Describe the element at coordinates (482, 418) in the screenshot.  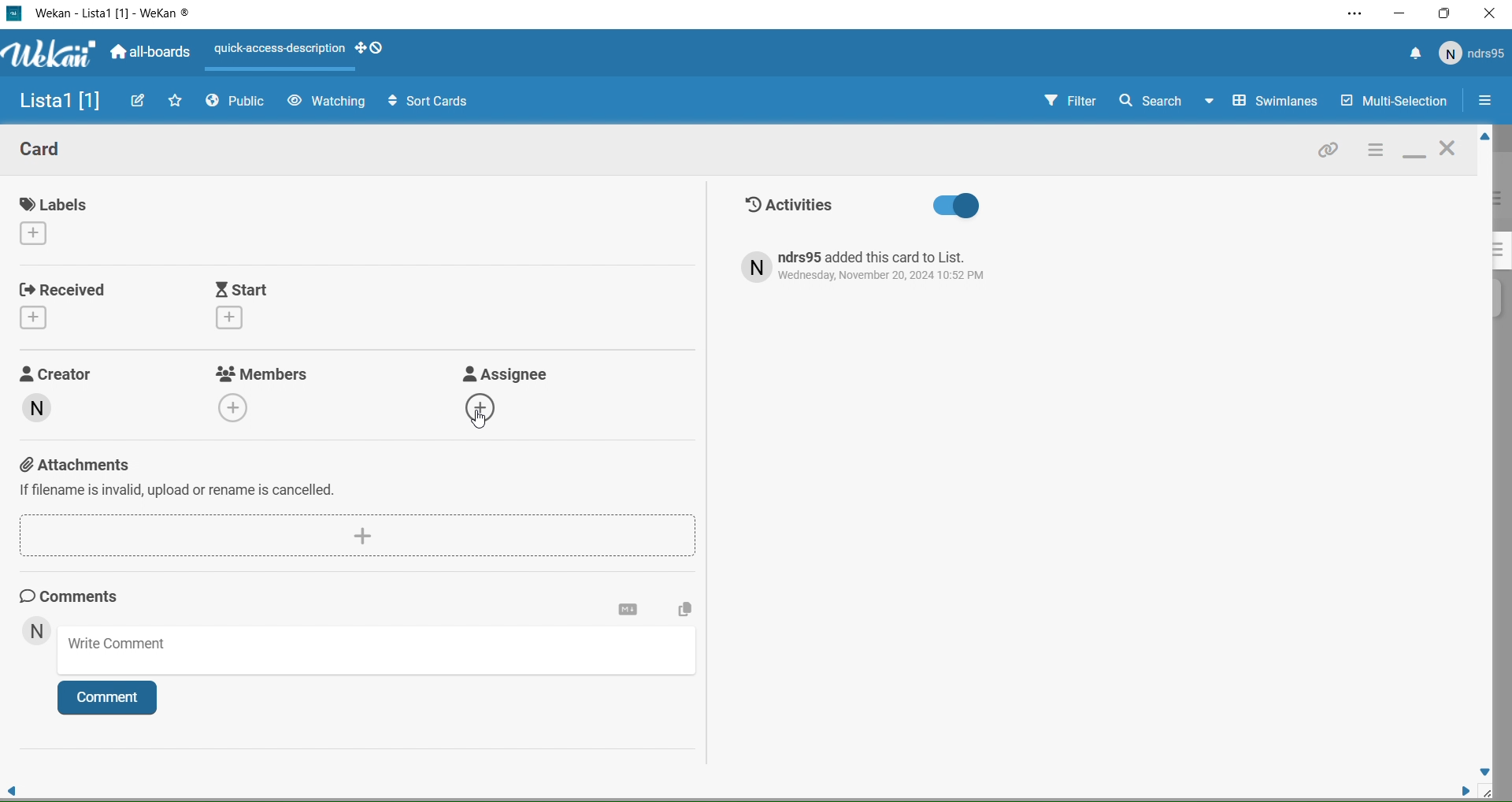
I see `cursor` at that location.